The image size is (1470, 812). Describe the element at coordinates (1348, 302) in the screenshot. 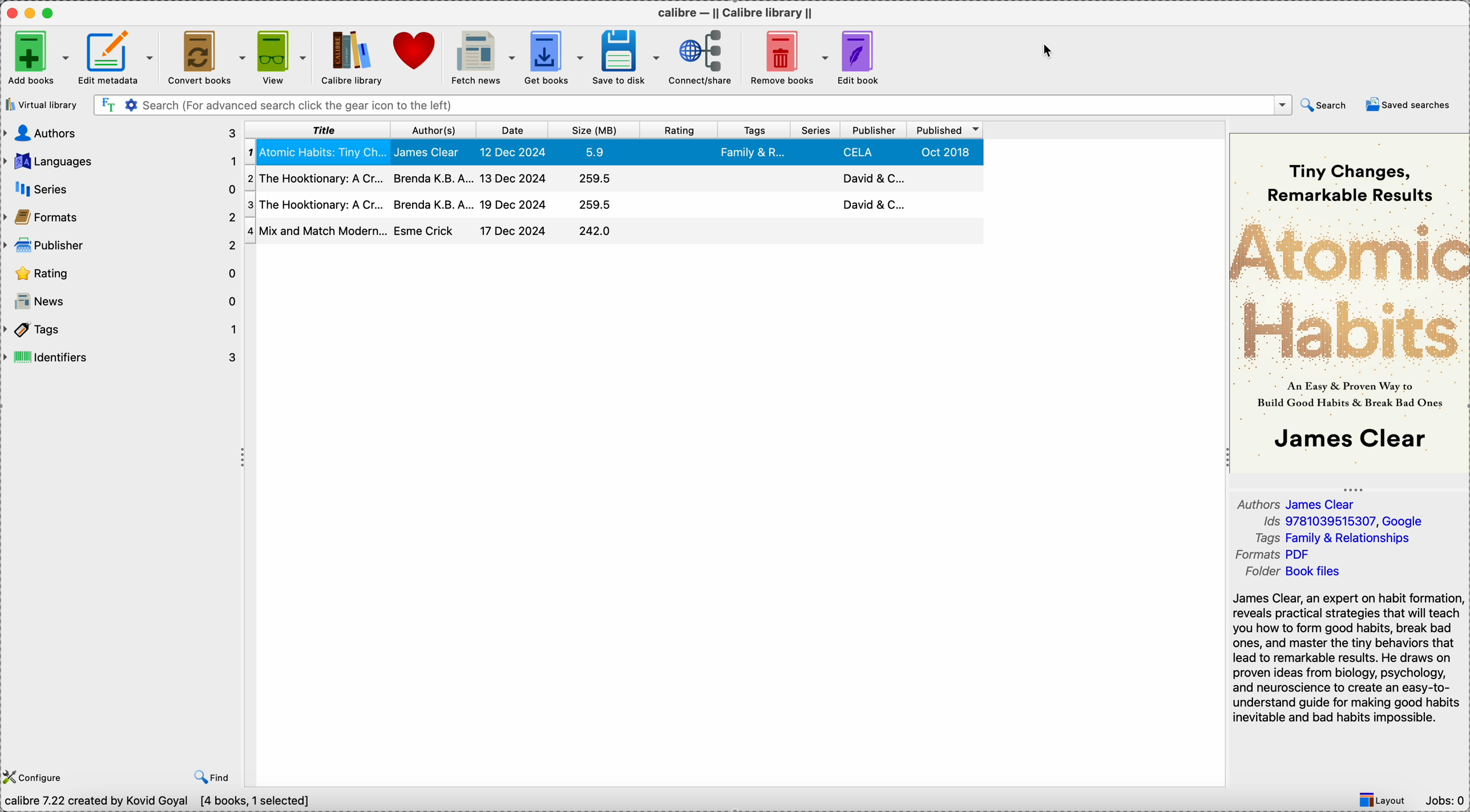

I see `book cover preview` at that location.